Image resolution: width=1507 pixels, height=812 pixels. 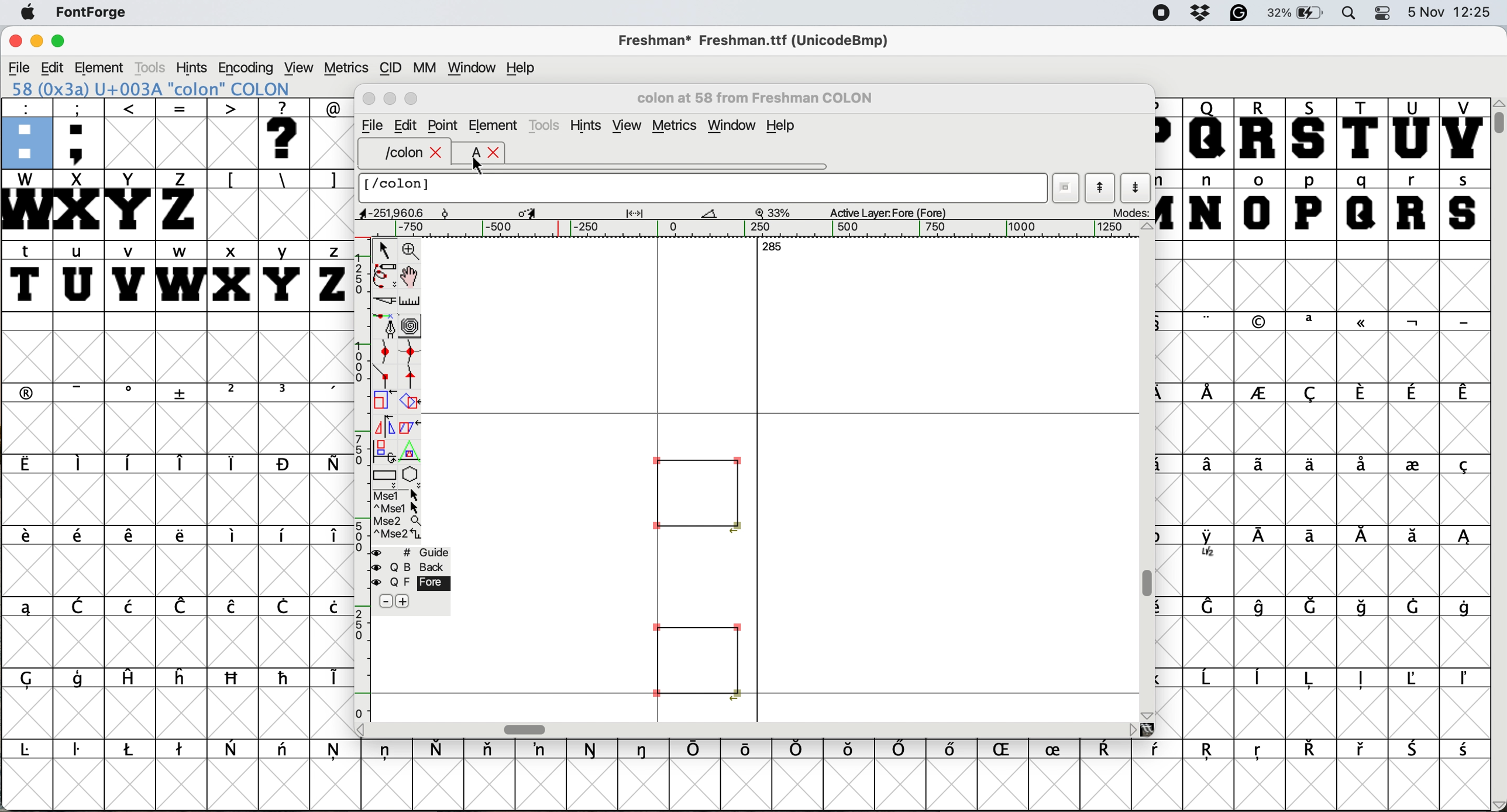 I want to click on symbol, so click(x=285, y=752).